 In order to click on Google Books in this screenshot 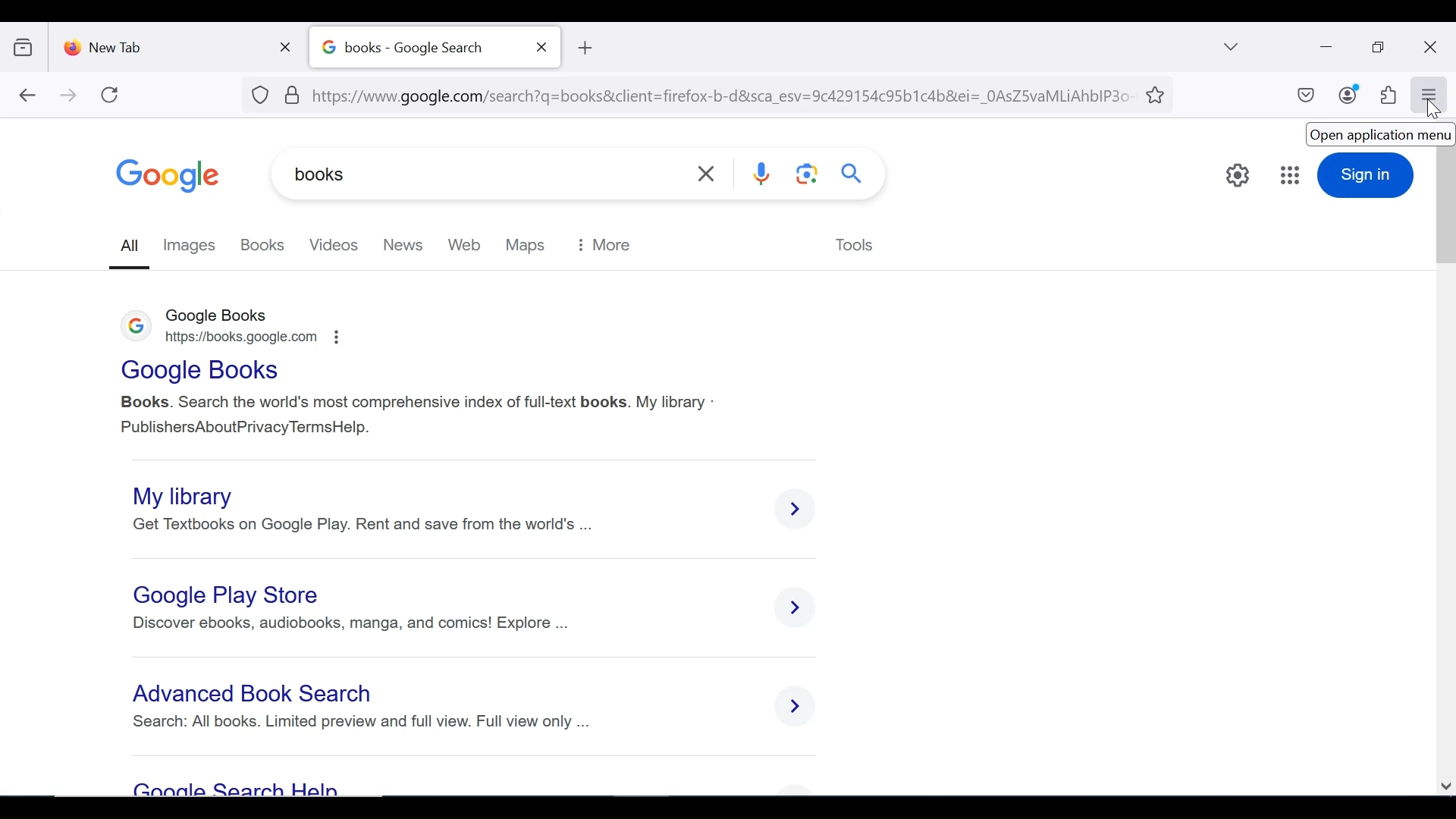, I will do `click(202, 372)`.